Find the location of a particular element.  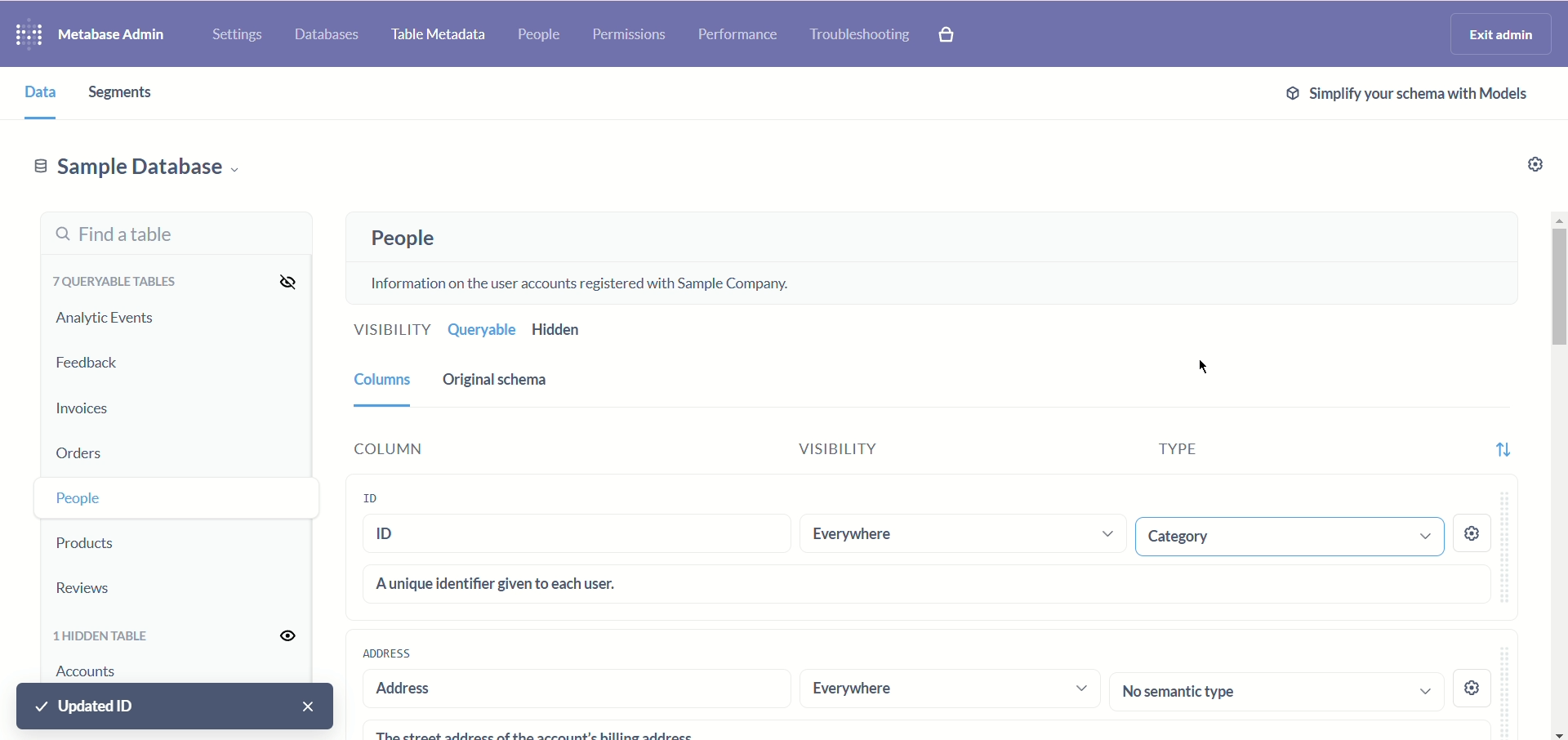

type is located at coordinates (1159, 454).